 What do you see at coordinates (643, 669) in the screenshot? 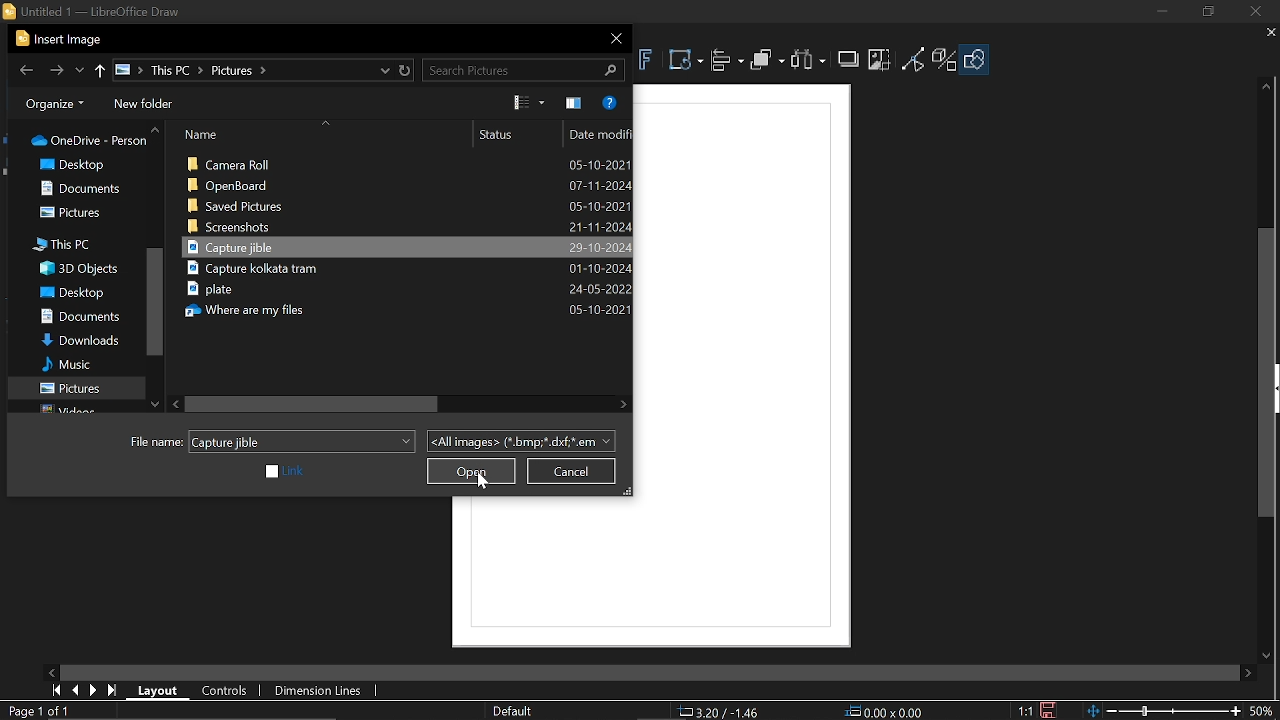
I see `horizontal slider` at bounding box center [643, 669].